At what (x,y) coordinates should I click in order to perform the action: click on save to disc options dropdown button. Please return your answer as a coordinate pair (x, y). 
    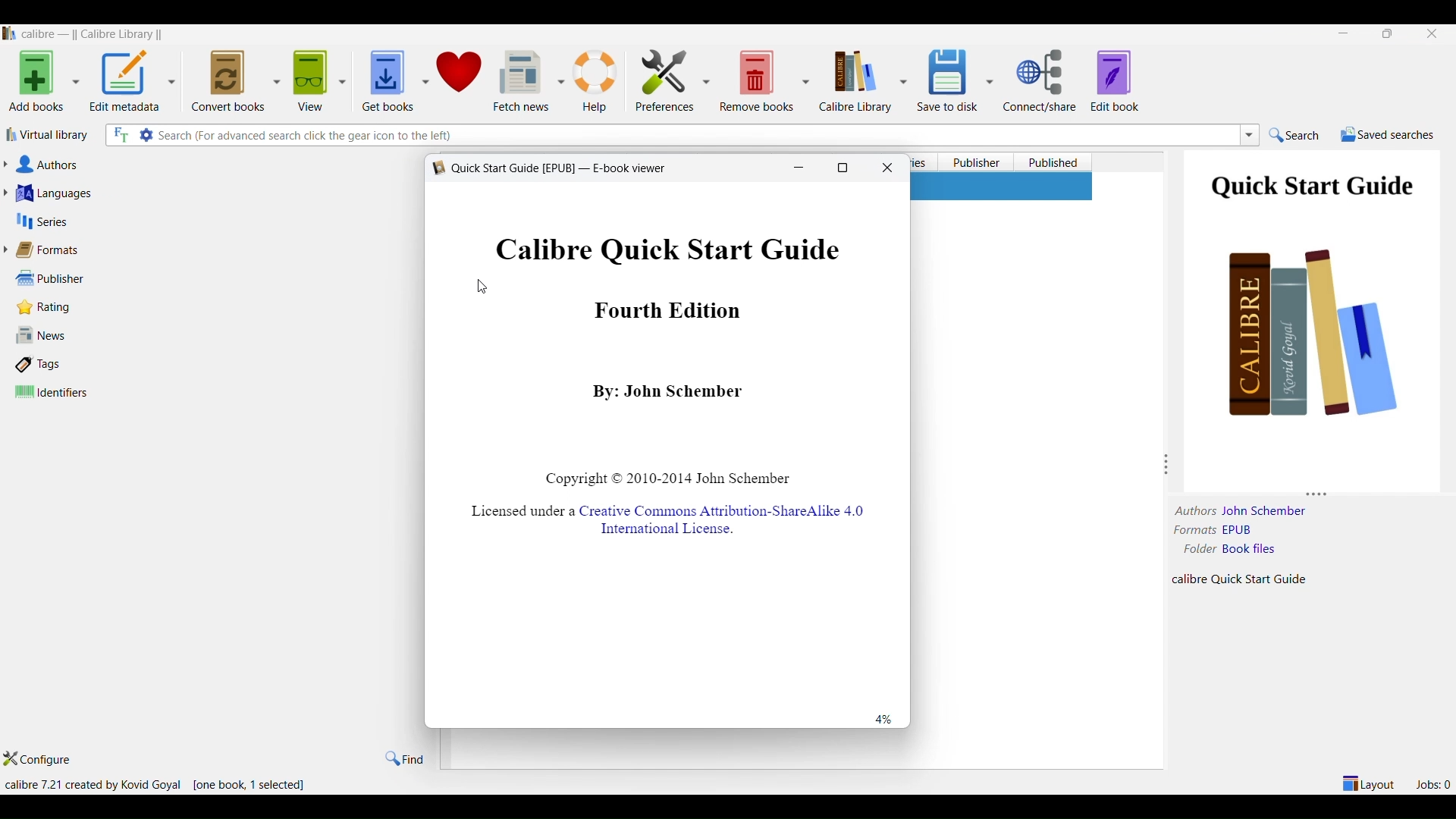
    Looking at the image, I should click on (990, 80).